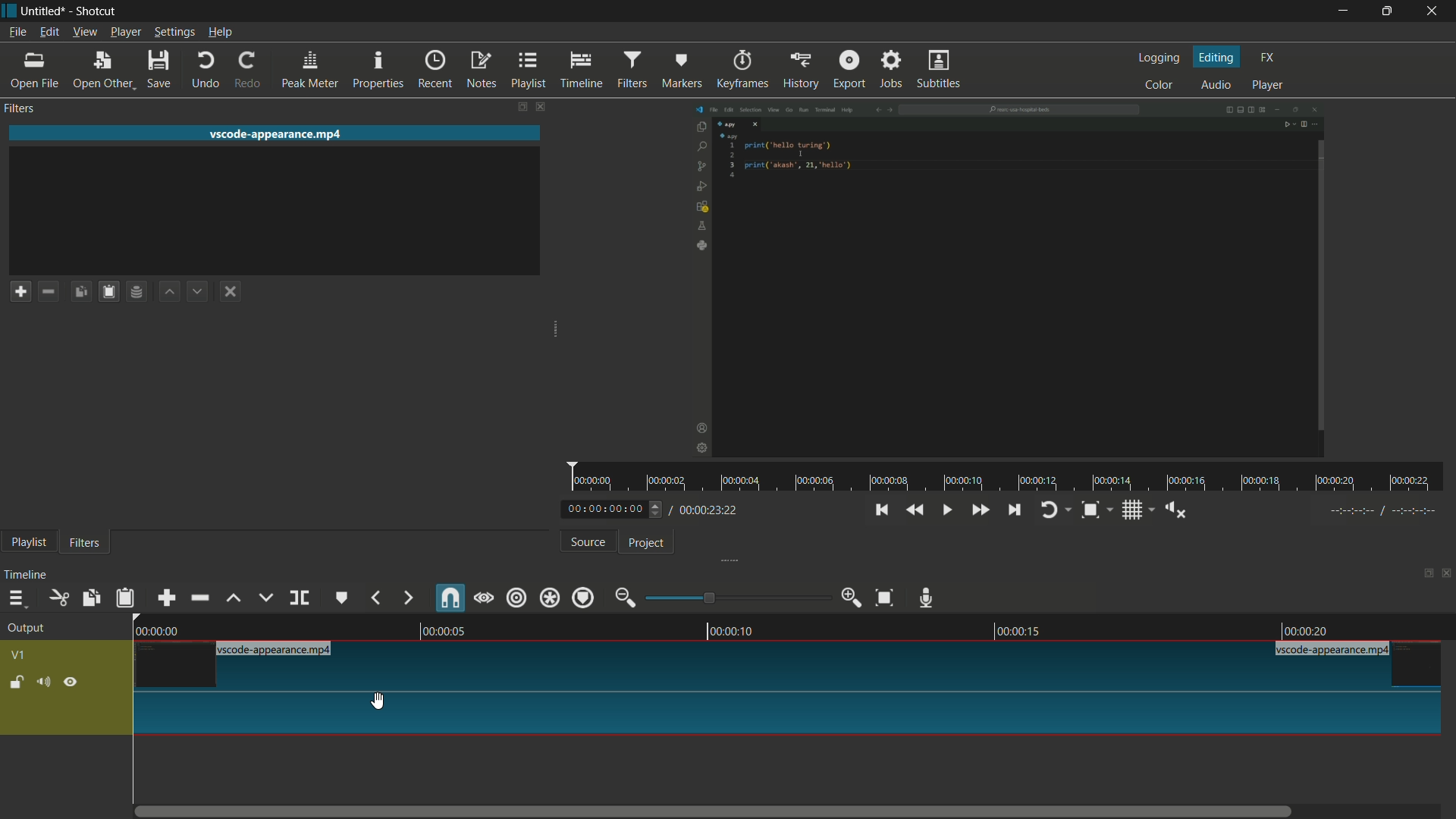 This screenshot has height=819, width=1456. I want to click on next marker, so click(408, 598).